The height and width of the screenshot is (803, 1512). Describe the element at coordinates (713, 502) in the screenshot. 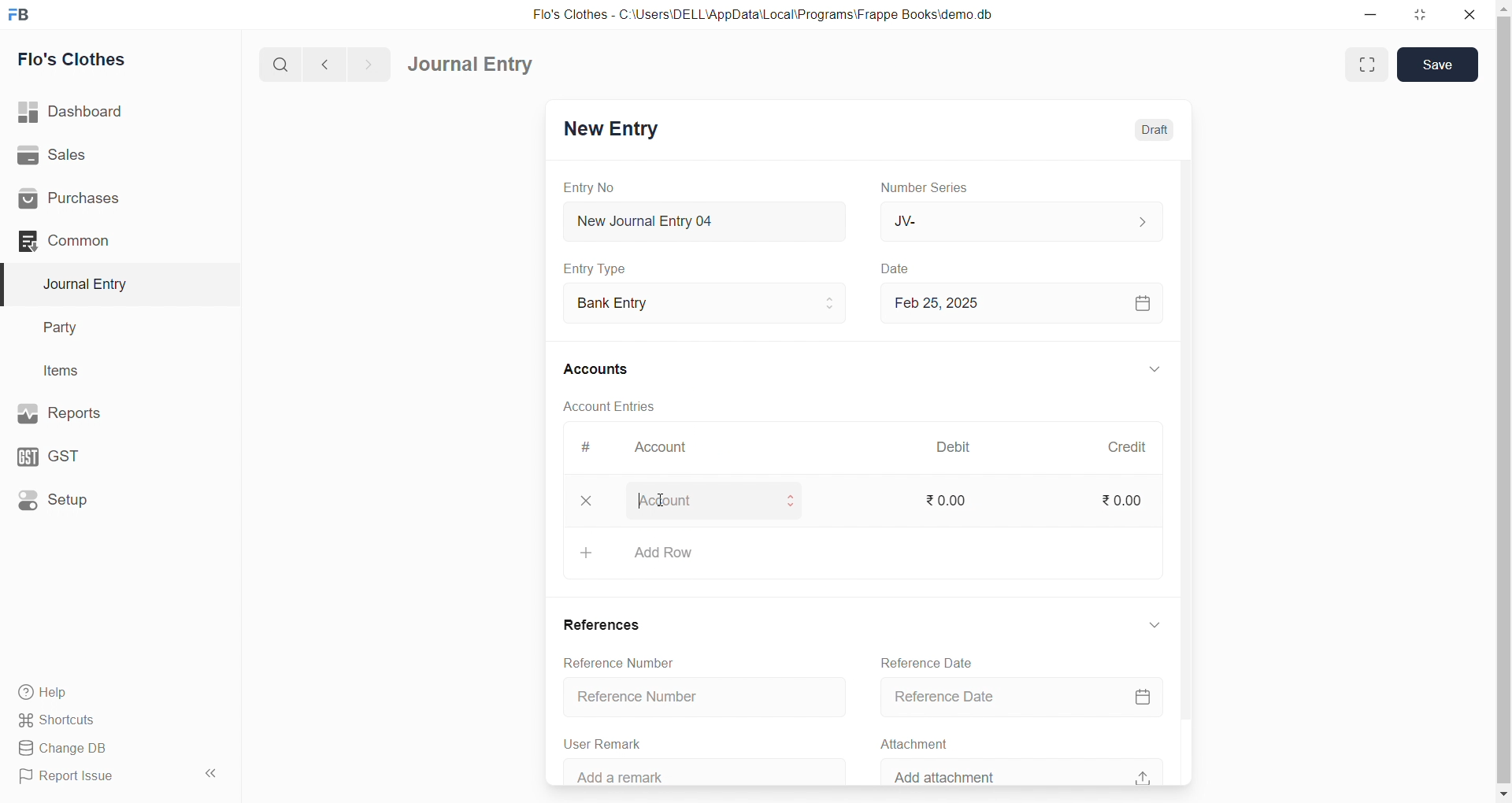

I see `Account` at that location.